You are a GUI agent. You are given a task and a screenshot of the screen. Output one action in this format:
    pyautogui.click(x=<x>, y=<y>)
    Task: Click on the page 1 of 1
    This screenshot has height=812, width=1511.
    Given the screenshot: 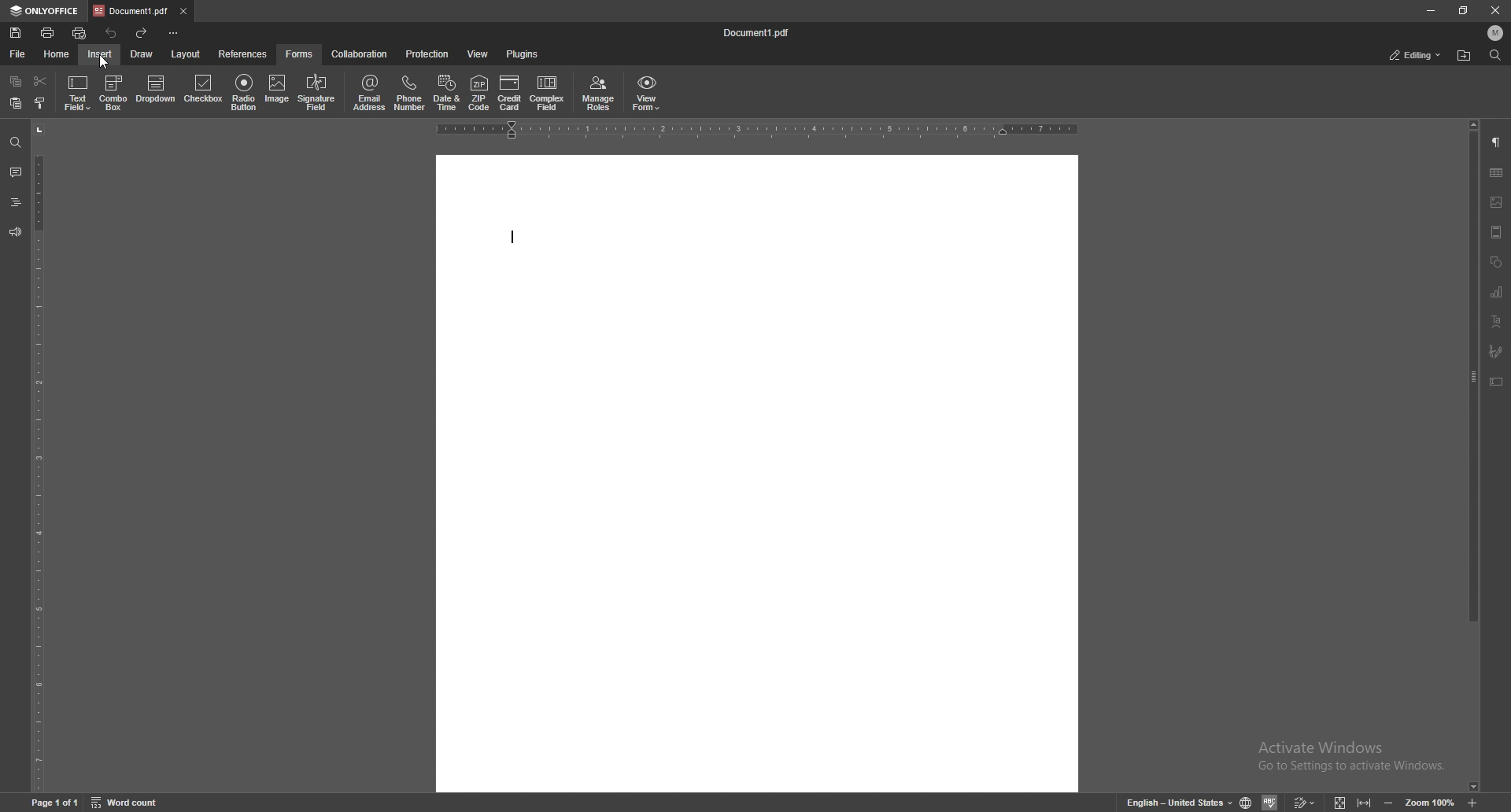 What is the action you would take?
    pyautogui.click(x=54, y=803)
    